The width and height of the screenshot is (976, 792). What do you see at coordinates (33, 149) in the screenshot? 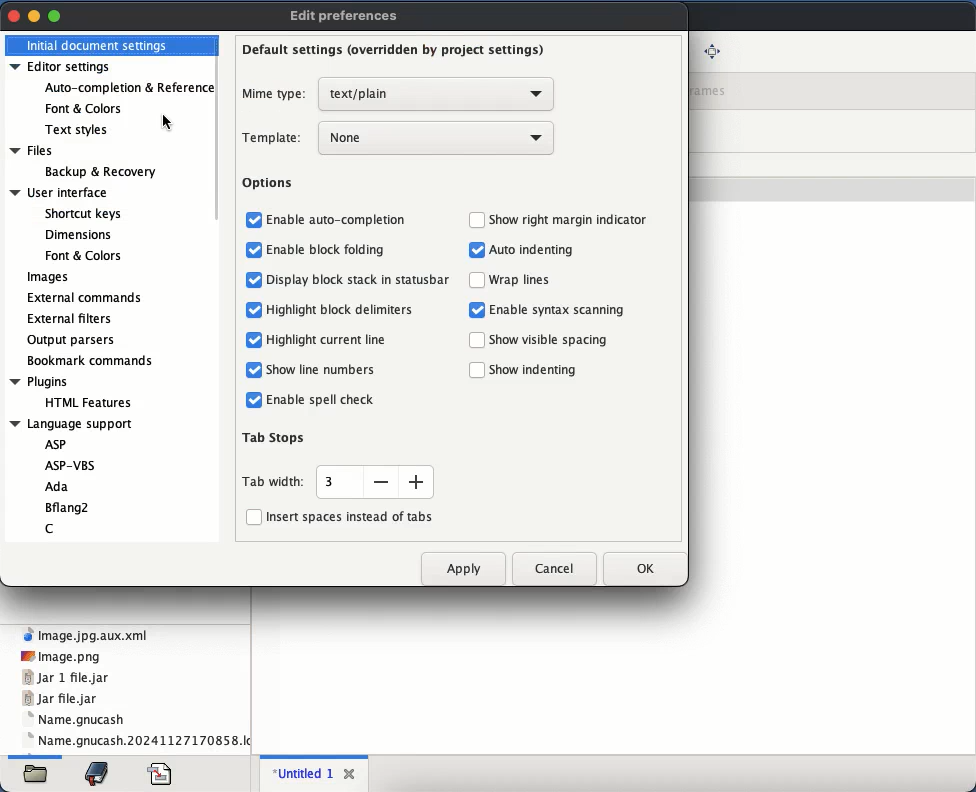
I see `Files` at bounding box center [33, 149].